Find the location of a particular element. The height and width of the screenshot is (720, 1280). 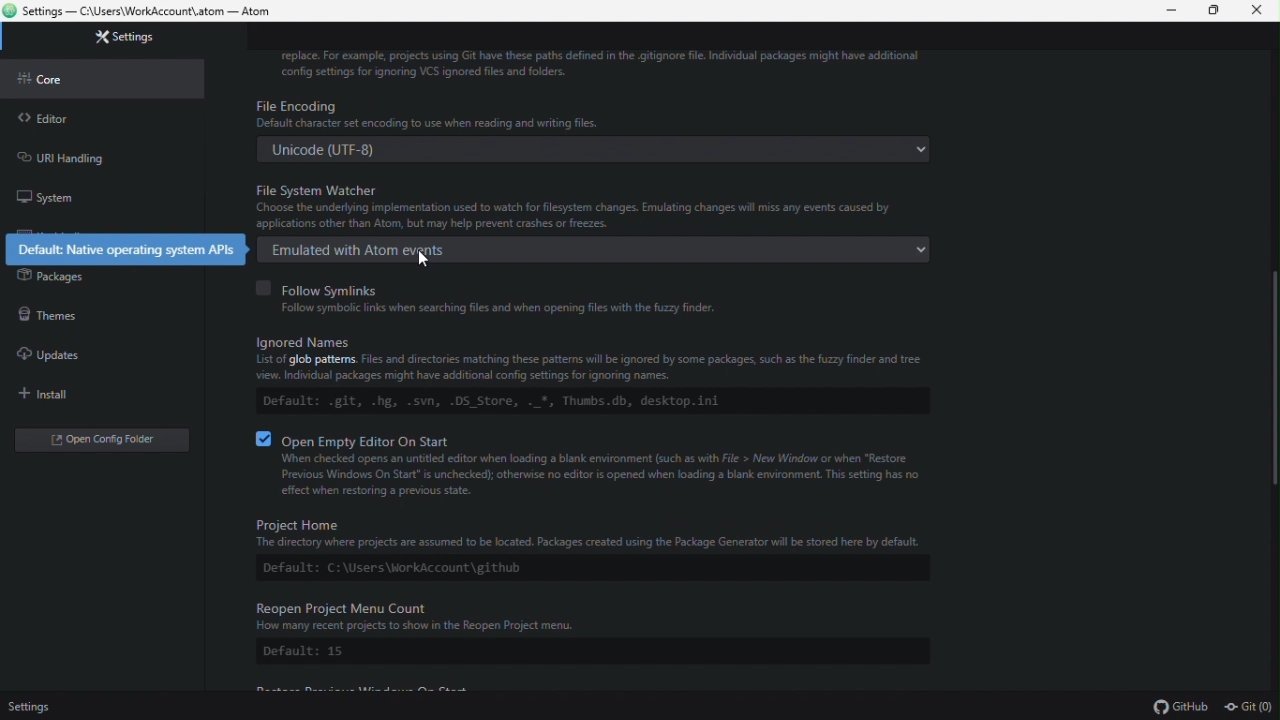

settings is located at coordinates (29, 708).